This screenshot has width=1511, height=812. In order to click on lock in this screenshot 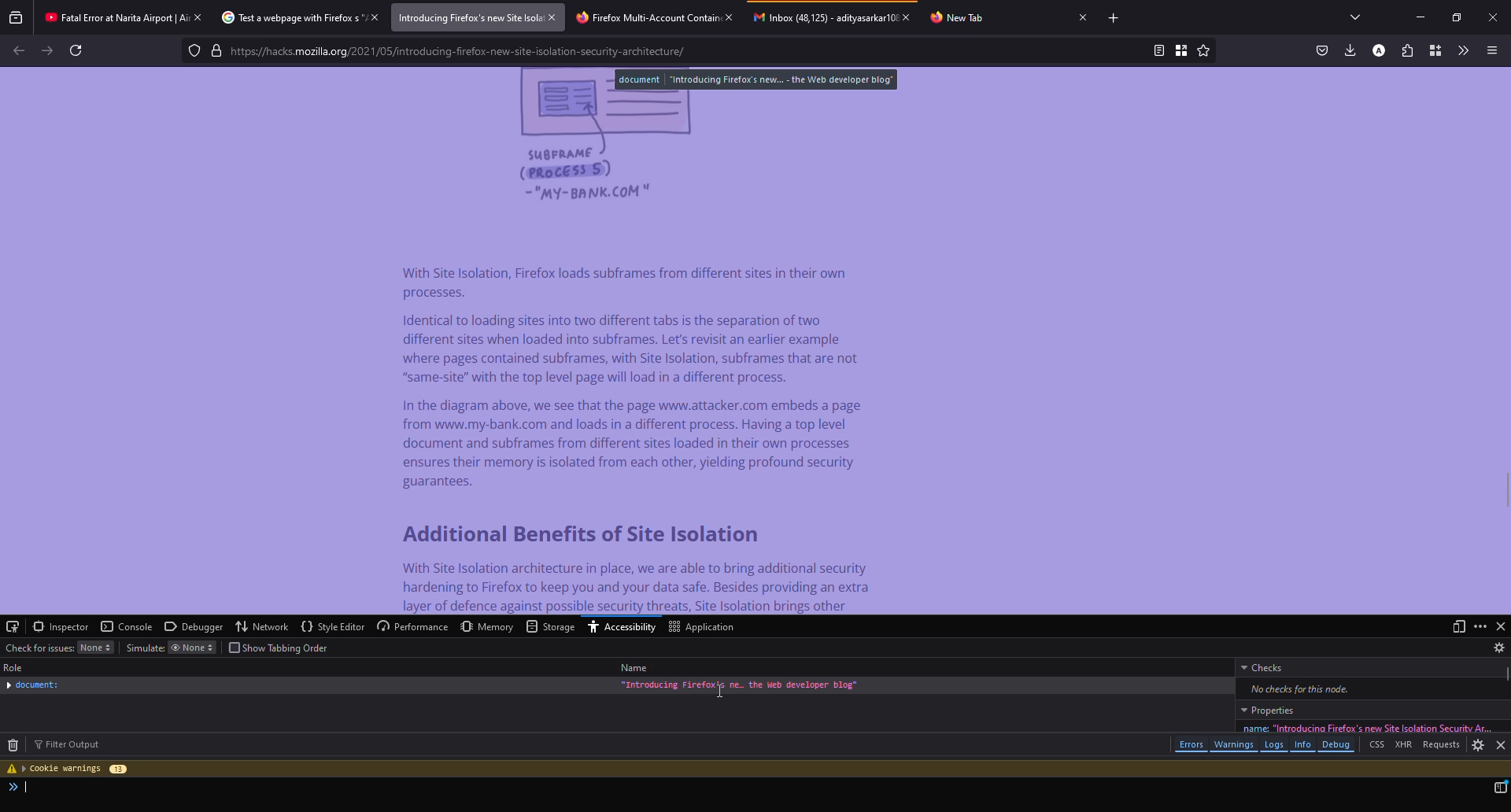, I will do `click(216, 50)`.